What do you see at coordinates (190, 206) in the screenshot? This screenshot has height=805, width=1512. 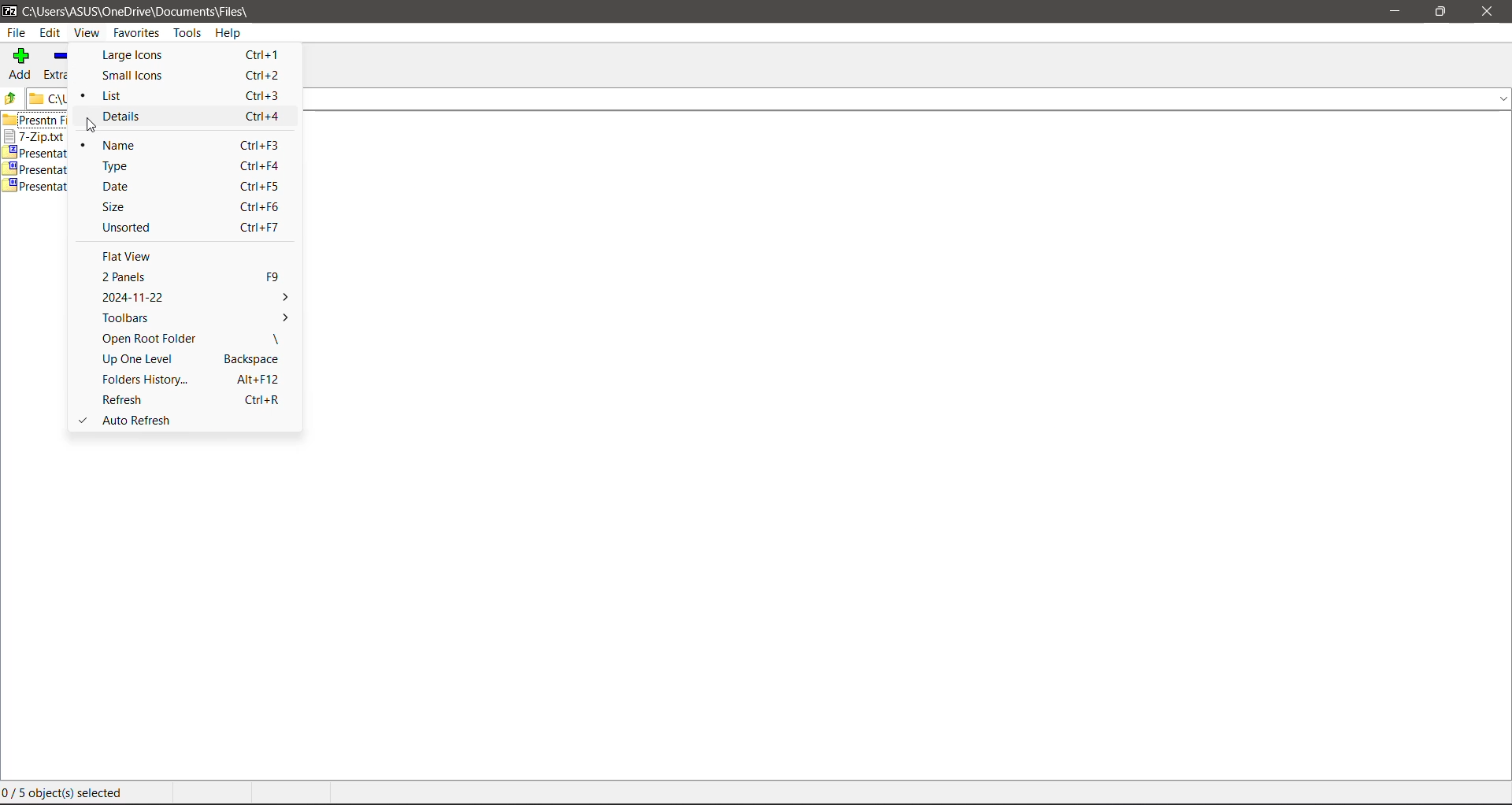 I see `Size` at bounding box center [190, 206].